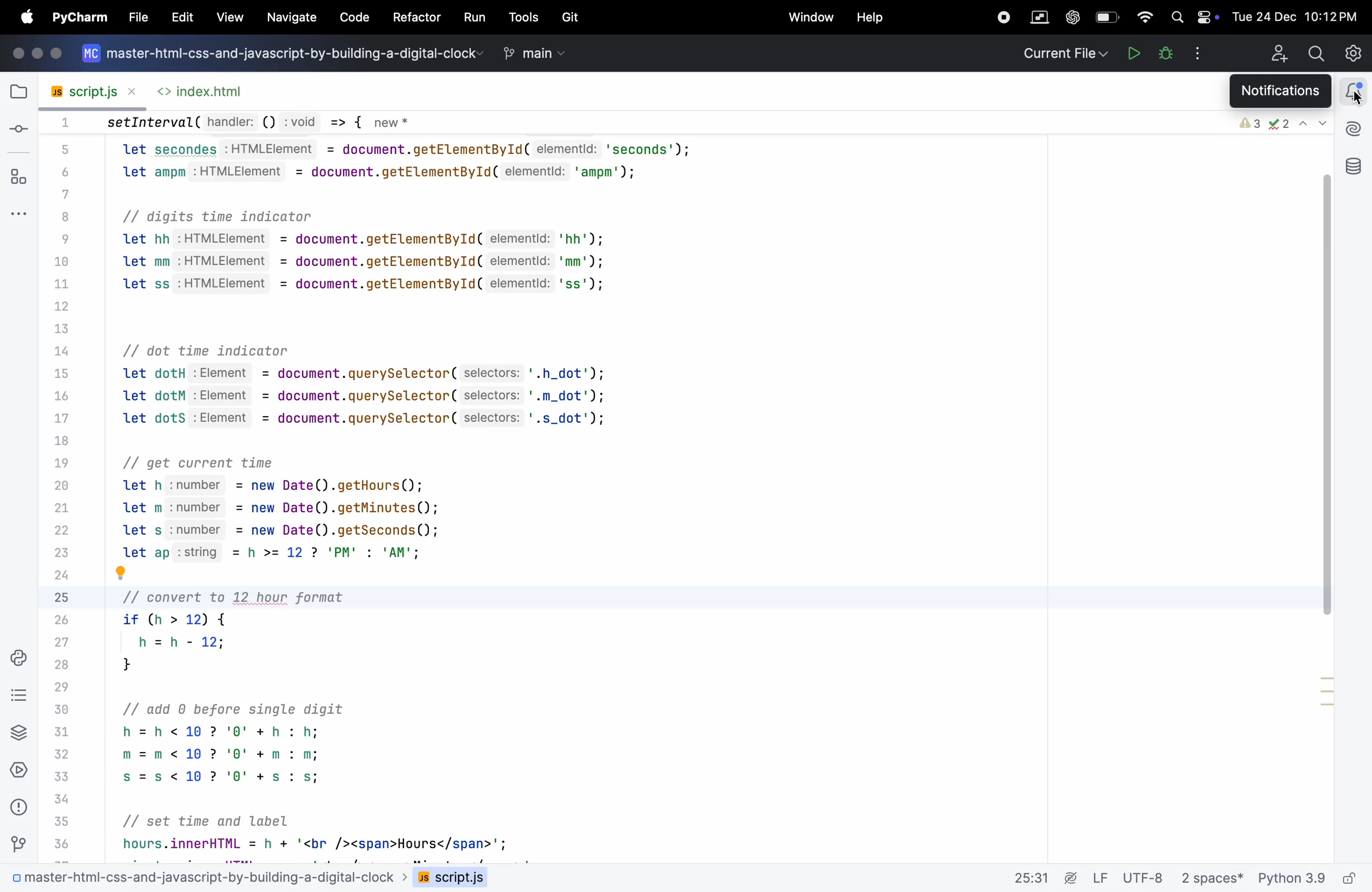 The height and width of the screenshot is (892, 1372). Describe the element at coordinates (1298, 17) in the screenshot. I see `Tue 24 Dec 10:12PM` at that location.